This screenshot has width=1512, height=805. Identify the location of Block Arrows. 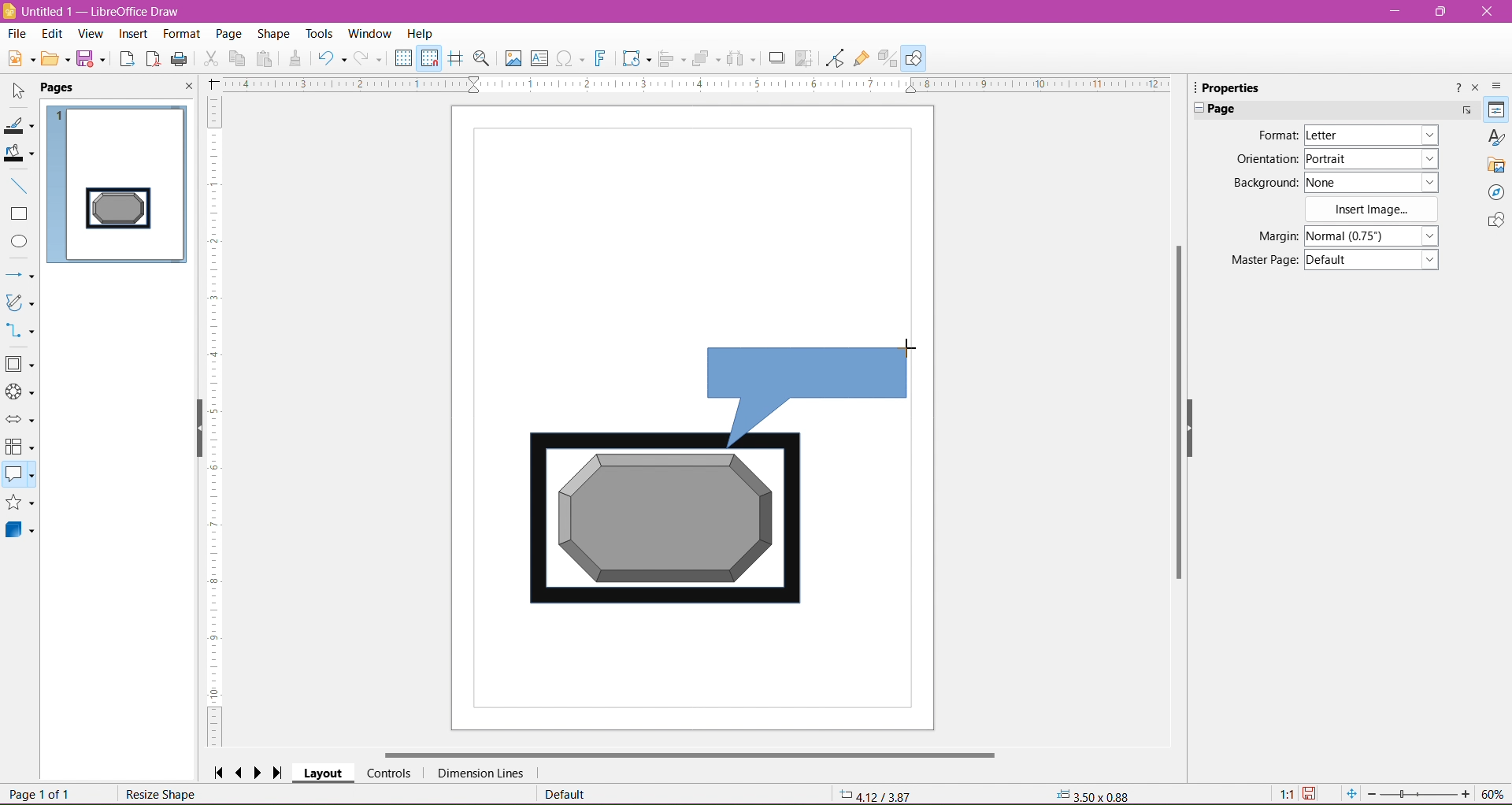
(20, 420).